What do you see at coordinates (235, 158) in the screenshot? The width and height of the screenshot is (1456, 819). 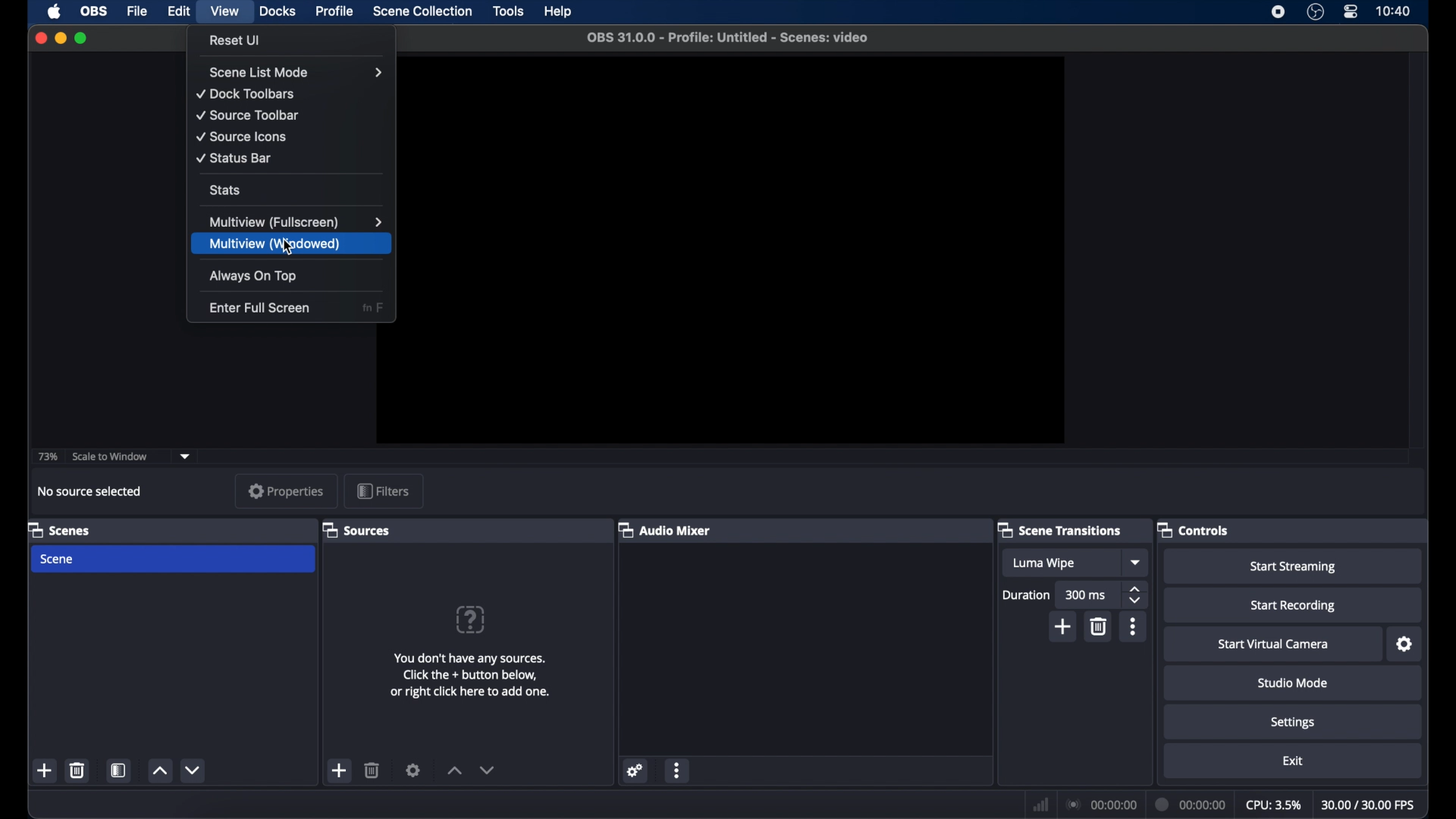 I see `status bar` at bounding box center [235, 158].